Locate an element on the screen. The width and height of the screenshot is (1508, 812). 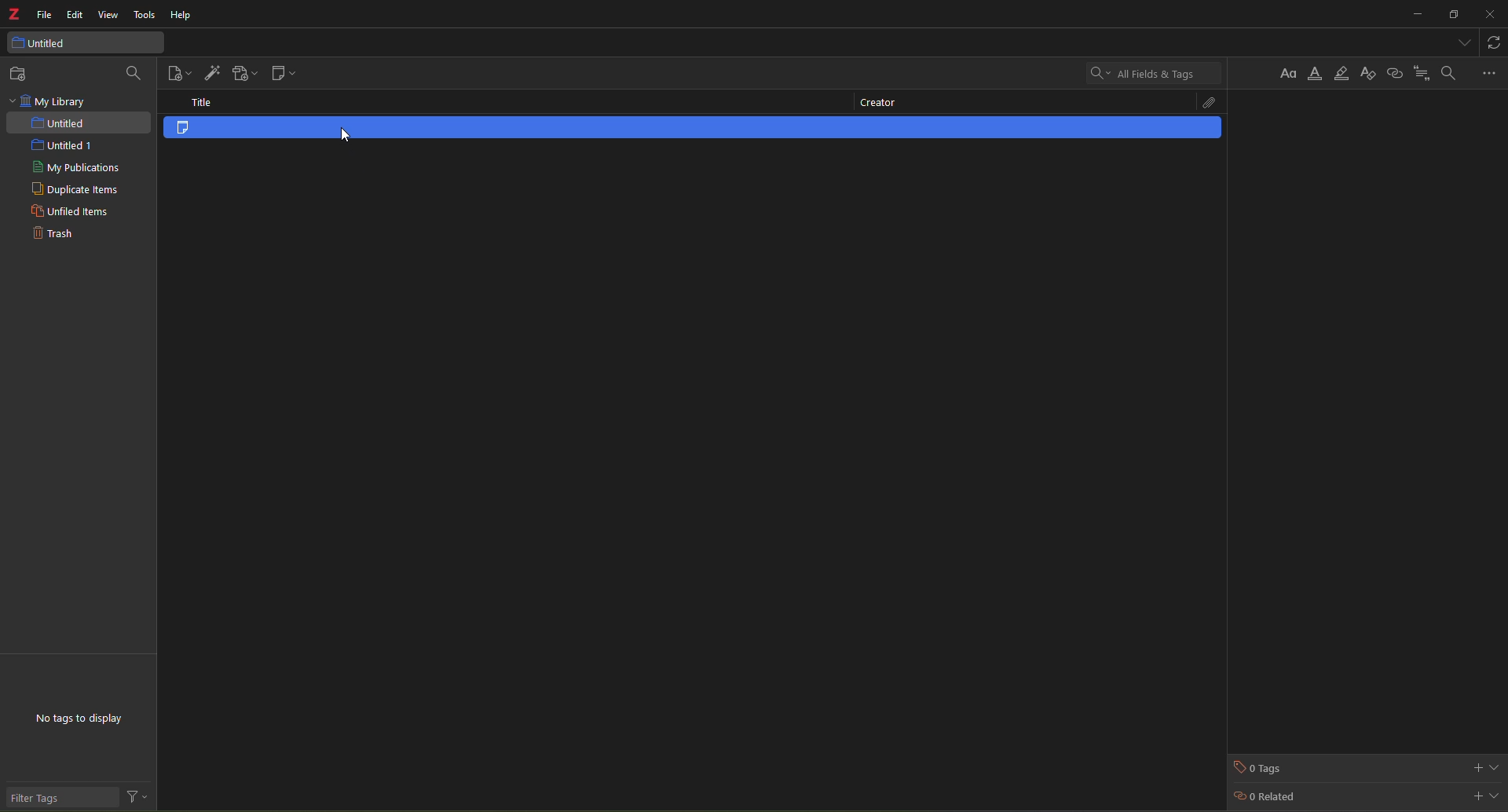
untitled is located at coordinates (42, 43).